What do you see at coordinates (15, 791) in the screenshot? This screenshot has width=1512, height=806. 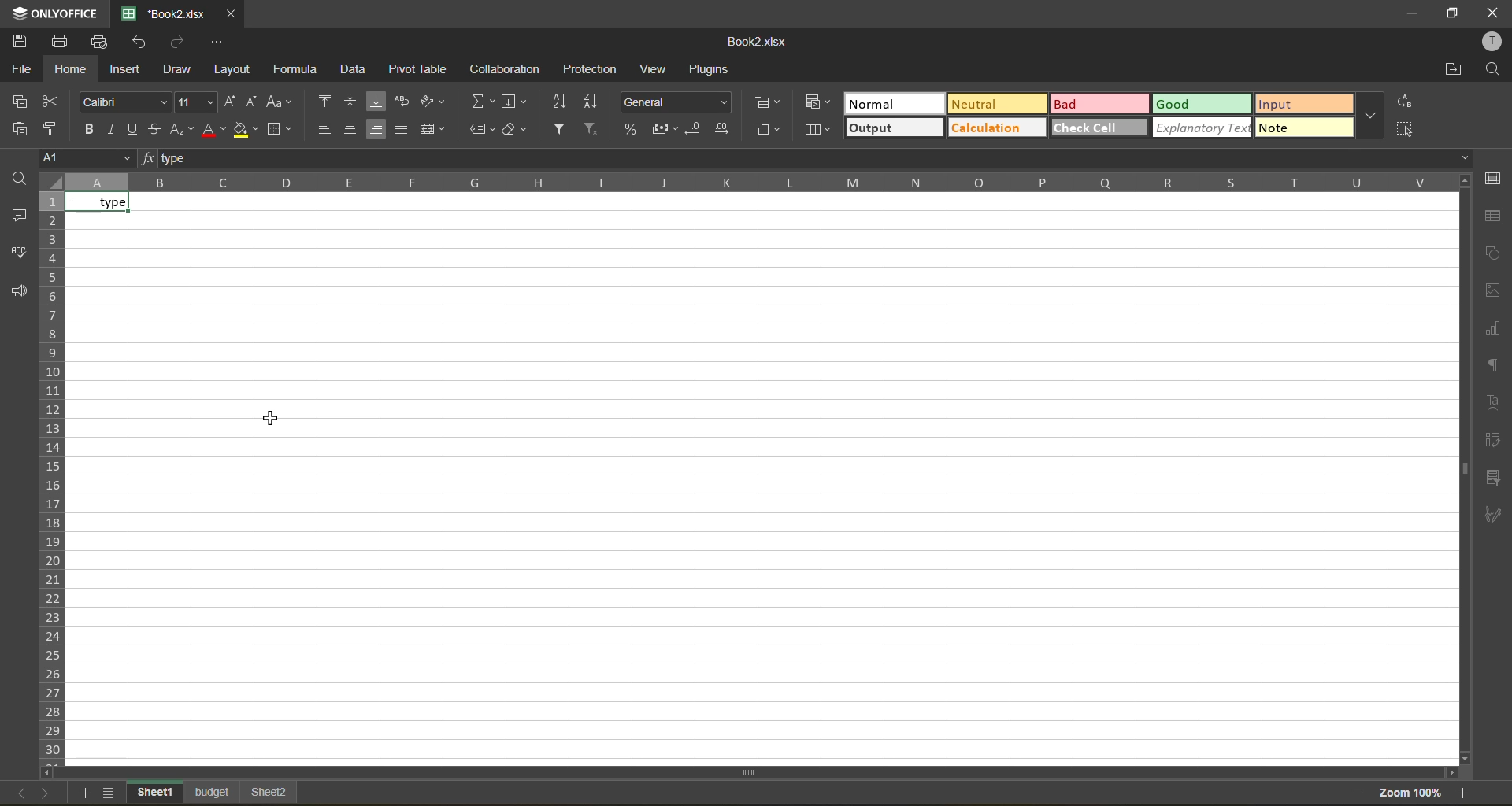 I see `previous` at bounding box center [15, 791].